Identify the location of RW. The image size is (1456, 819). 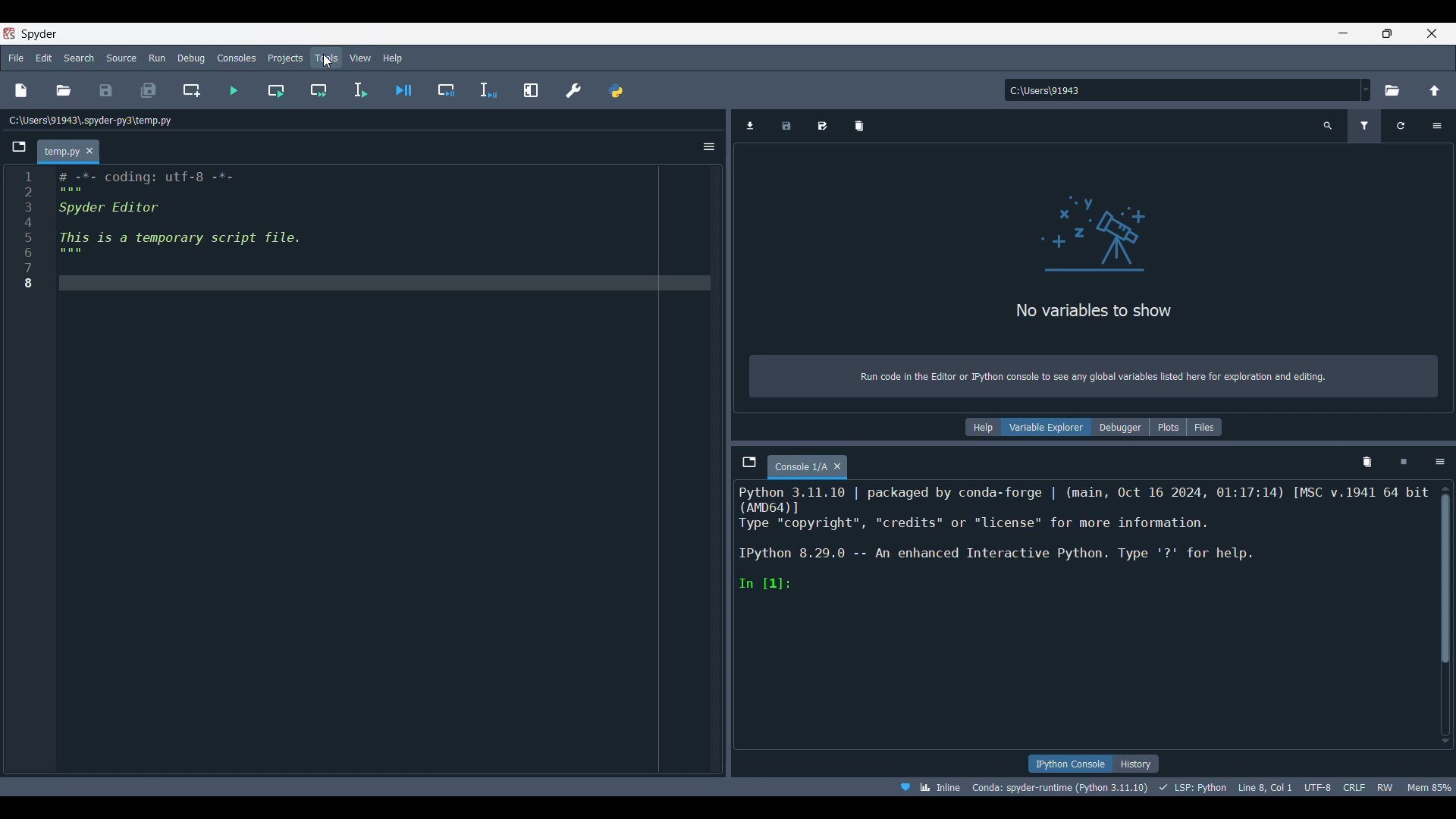
(1386, 788).